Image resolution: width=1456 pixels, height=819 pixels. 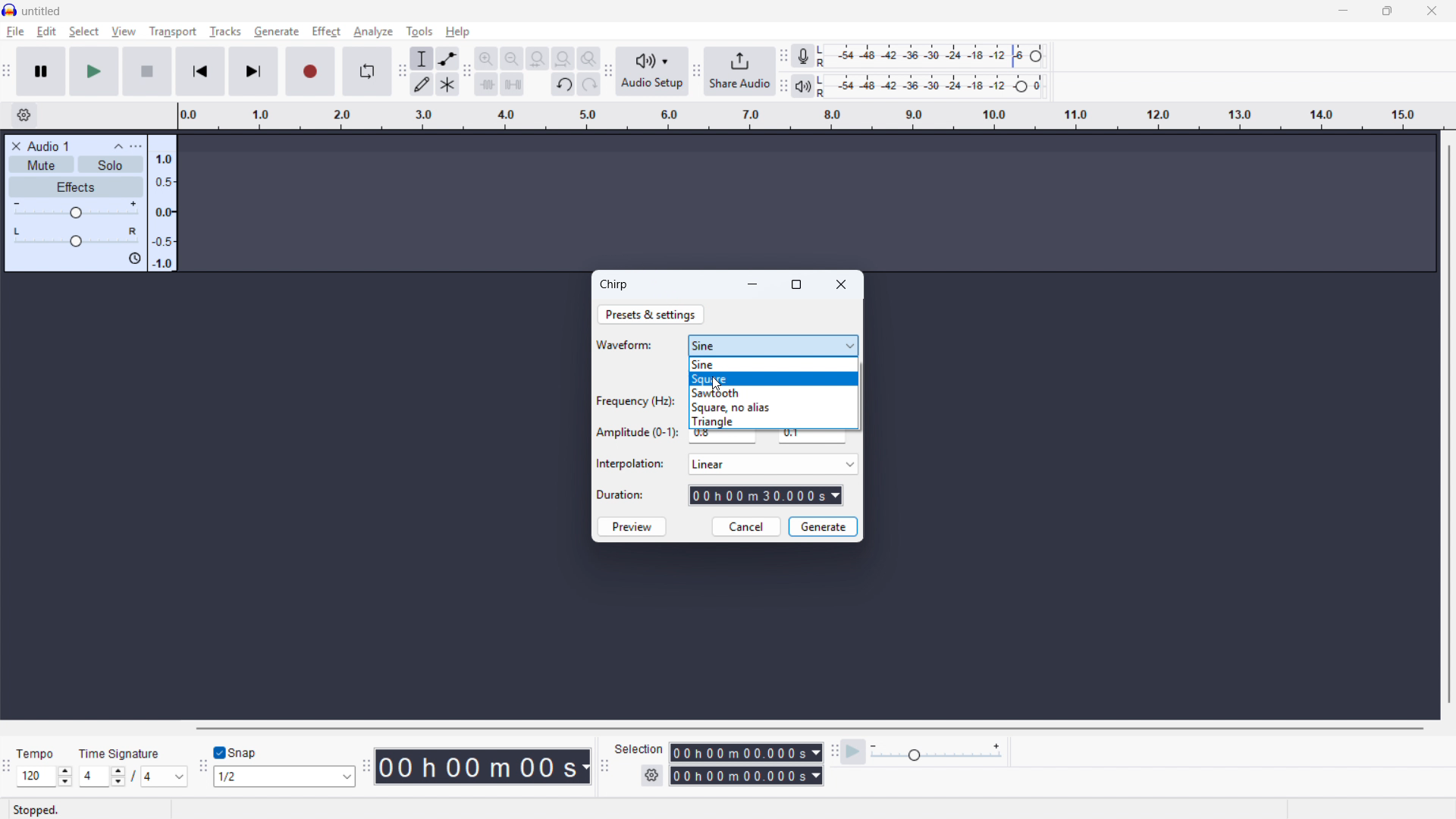 I want to click on Remove track , so click(x=15, y=146).